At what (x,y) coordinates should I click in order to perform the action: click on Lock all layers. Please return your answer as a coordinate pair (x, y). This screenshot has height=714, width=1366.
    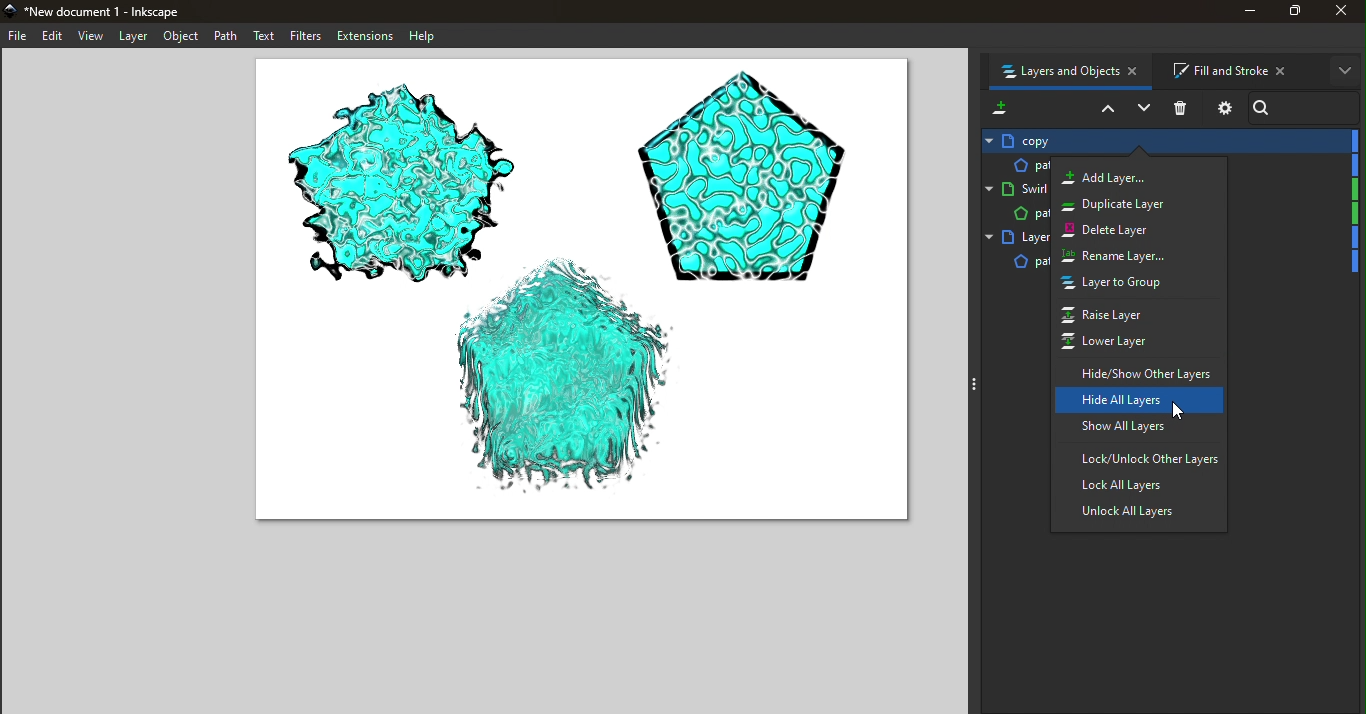
    Looking at the image, I should click on (1141, 486).